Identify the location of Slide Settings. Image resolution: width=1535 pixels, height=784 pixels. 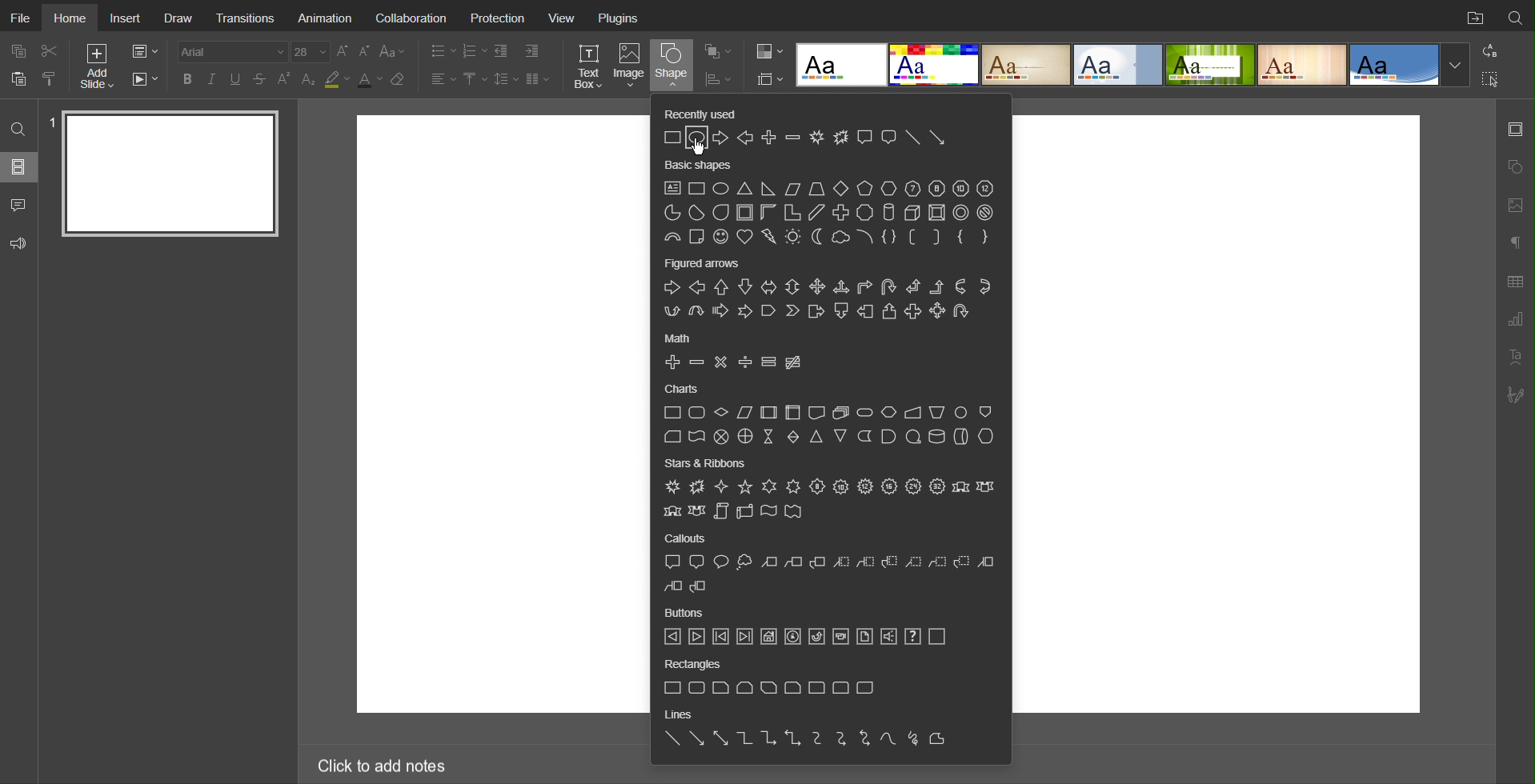
(143, 52).